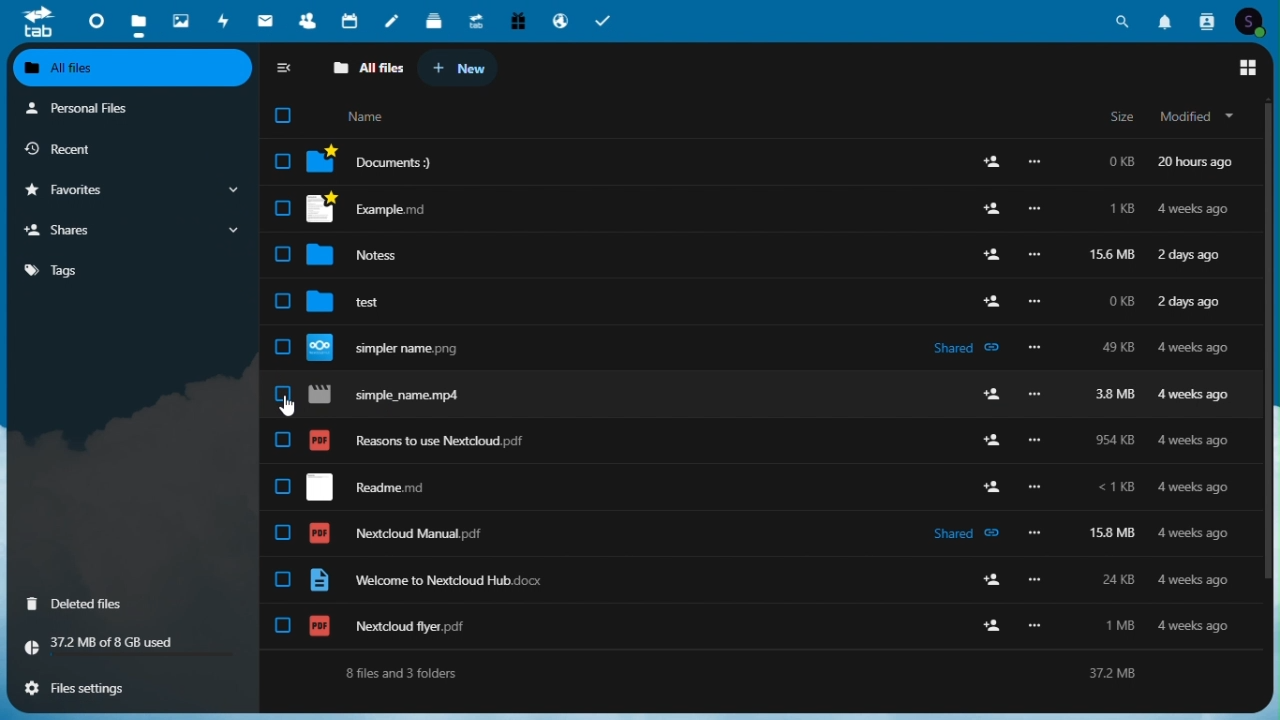 This screenshot has height=720, width=1280. Describe the element at coordinates (287, 69) in the screenshot. I see `Collapse sidebar` at that location.